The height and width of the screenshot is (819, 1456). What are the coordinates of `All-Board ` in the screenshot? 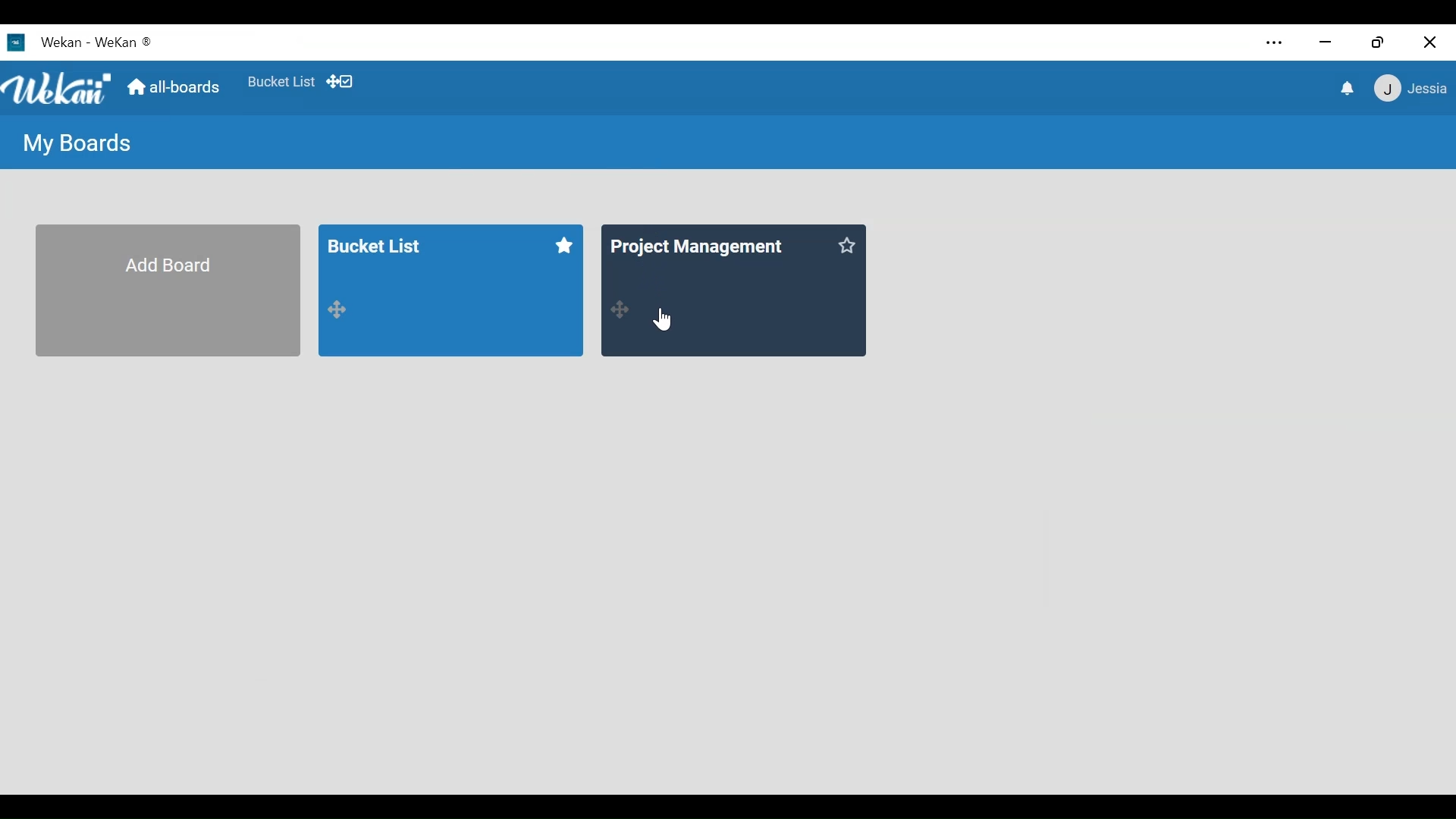 It's located at (733, 290).